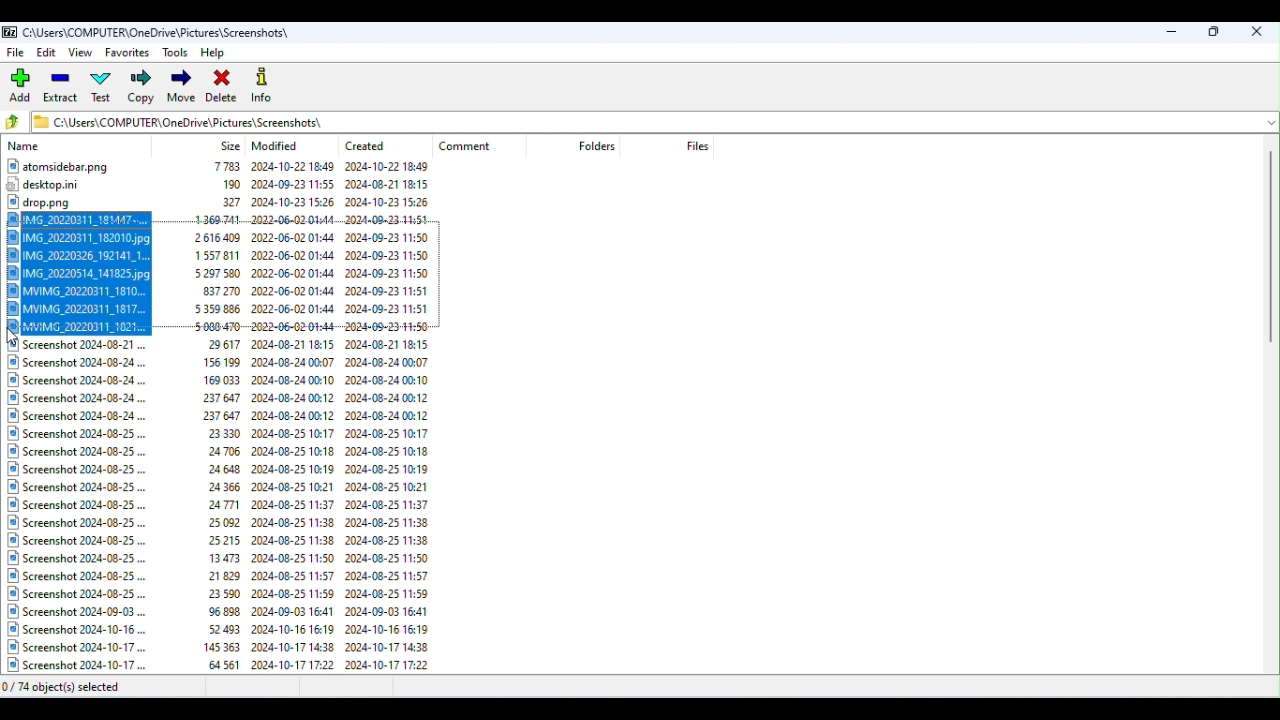 This screenshot has height=720, width=1280. I want to click on Go back, so click(16, 123).